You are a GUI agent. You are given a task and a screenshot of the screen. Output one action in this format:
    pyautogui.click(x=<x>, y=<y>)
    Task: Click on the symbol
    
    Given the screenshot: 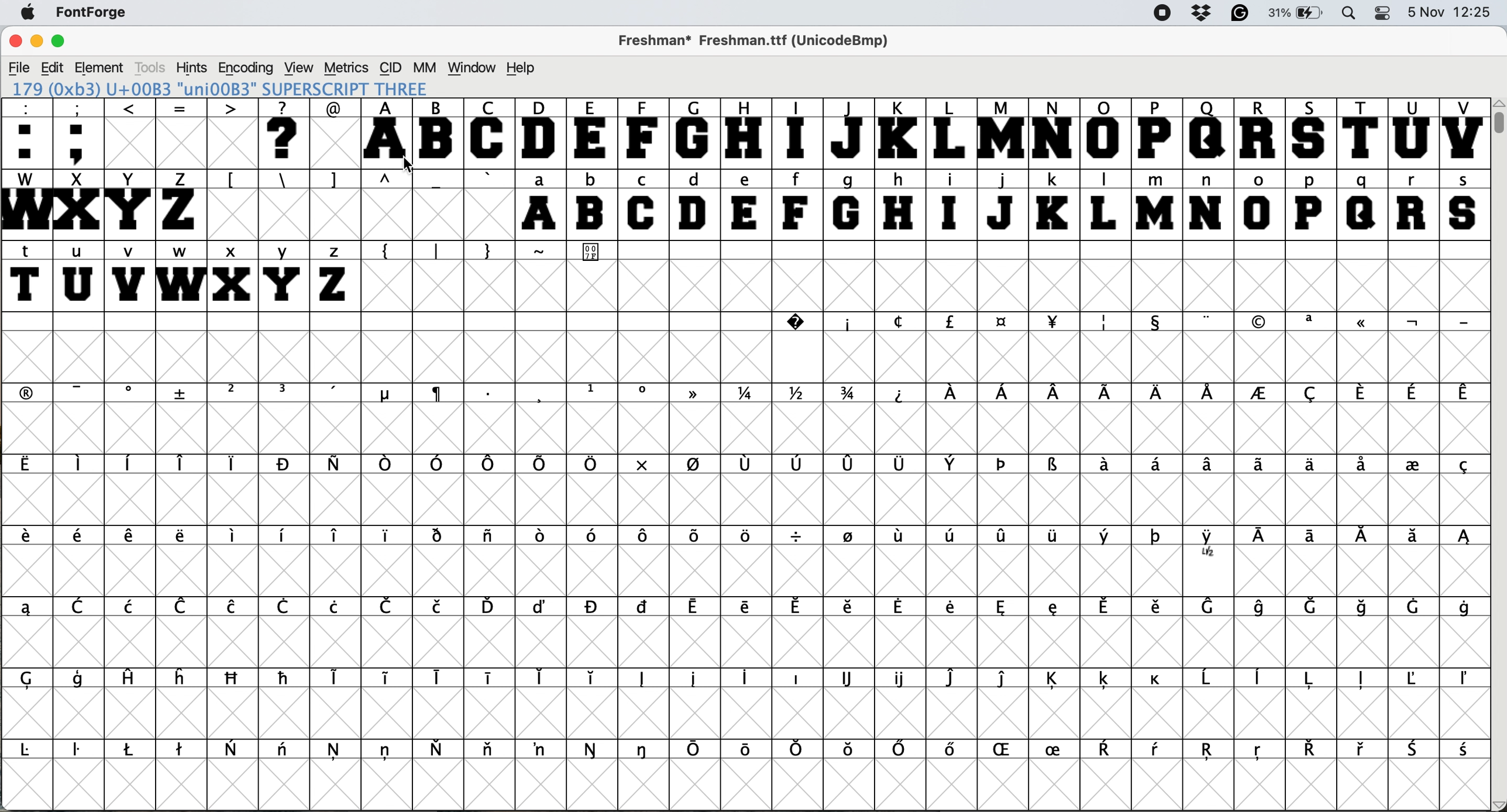 What is the action you would take?
    pyautogui.click(x=32, y=750)
    